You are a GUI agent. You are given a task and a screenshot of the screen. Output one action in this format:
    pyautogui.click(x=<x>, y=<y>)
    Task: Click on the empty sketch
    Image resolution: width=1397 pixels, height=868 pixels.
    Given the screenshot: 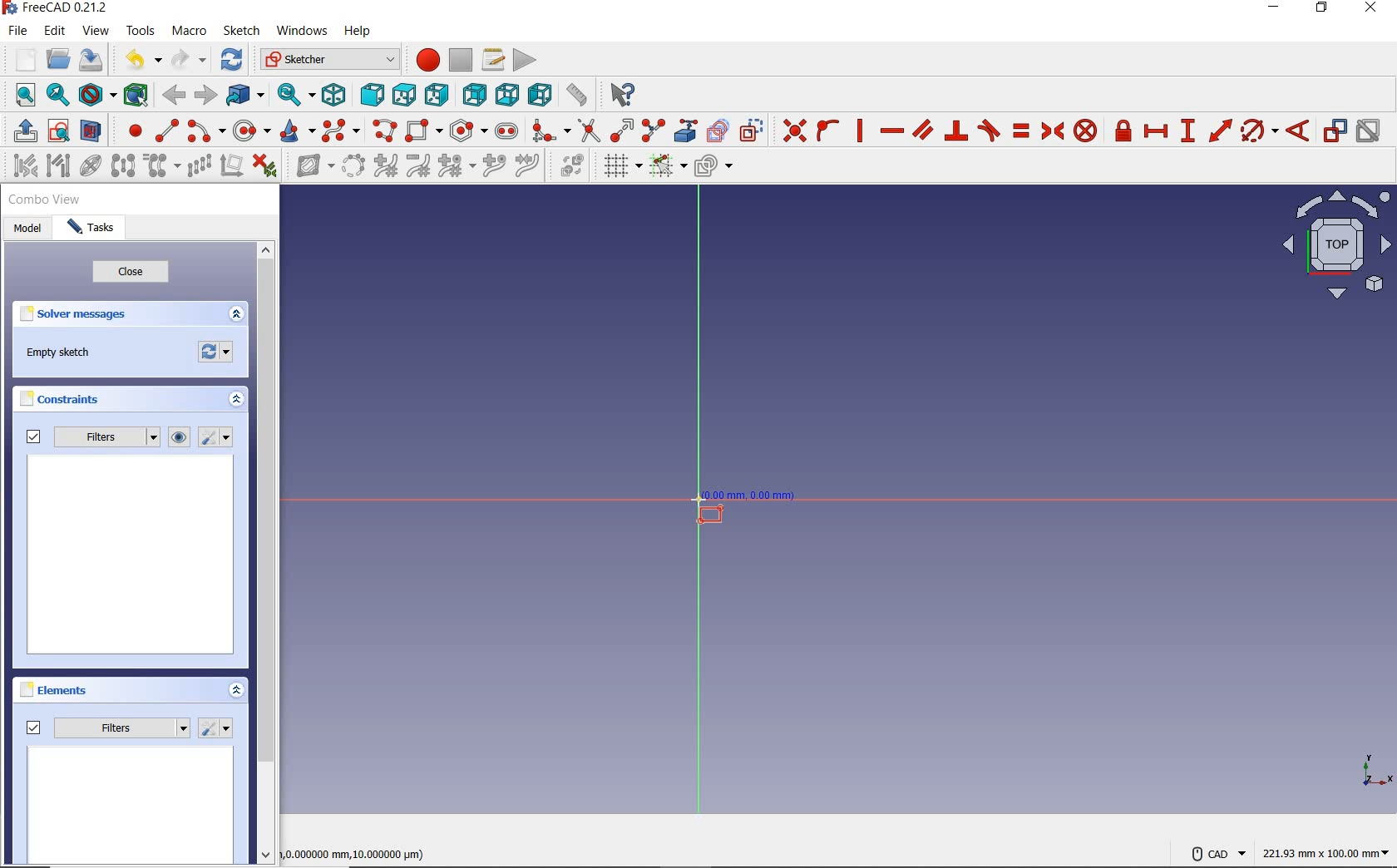 What is the action you would take?
    pyautogui.click(x=62, y=354)
    